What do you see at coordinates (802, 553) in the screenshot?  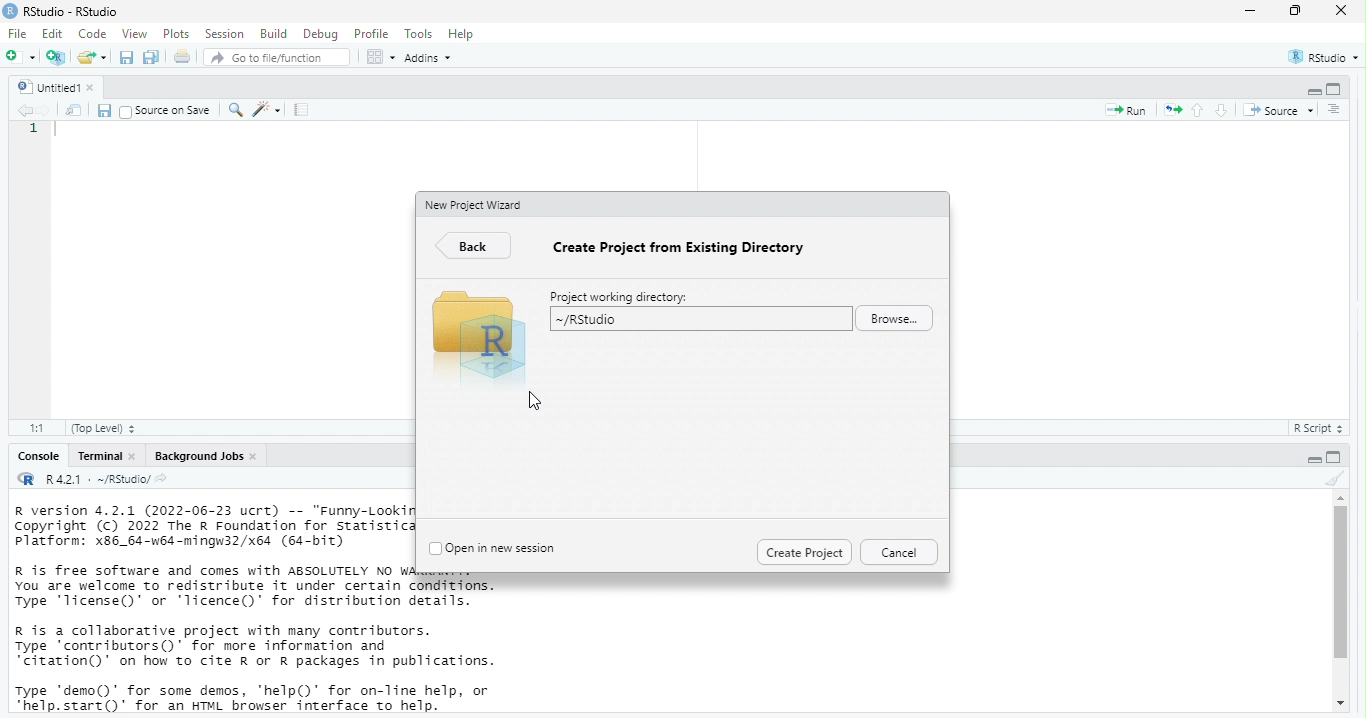 I see `create project` at bounding box center [802, 553].